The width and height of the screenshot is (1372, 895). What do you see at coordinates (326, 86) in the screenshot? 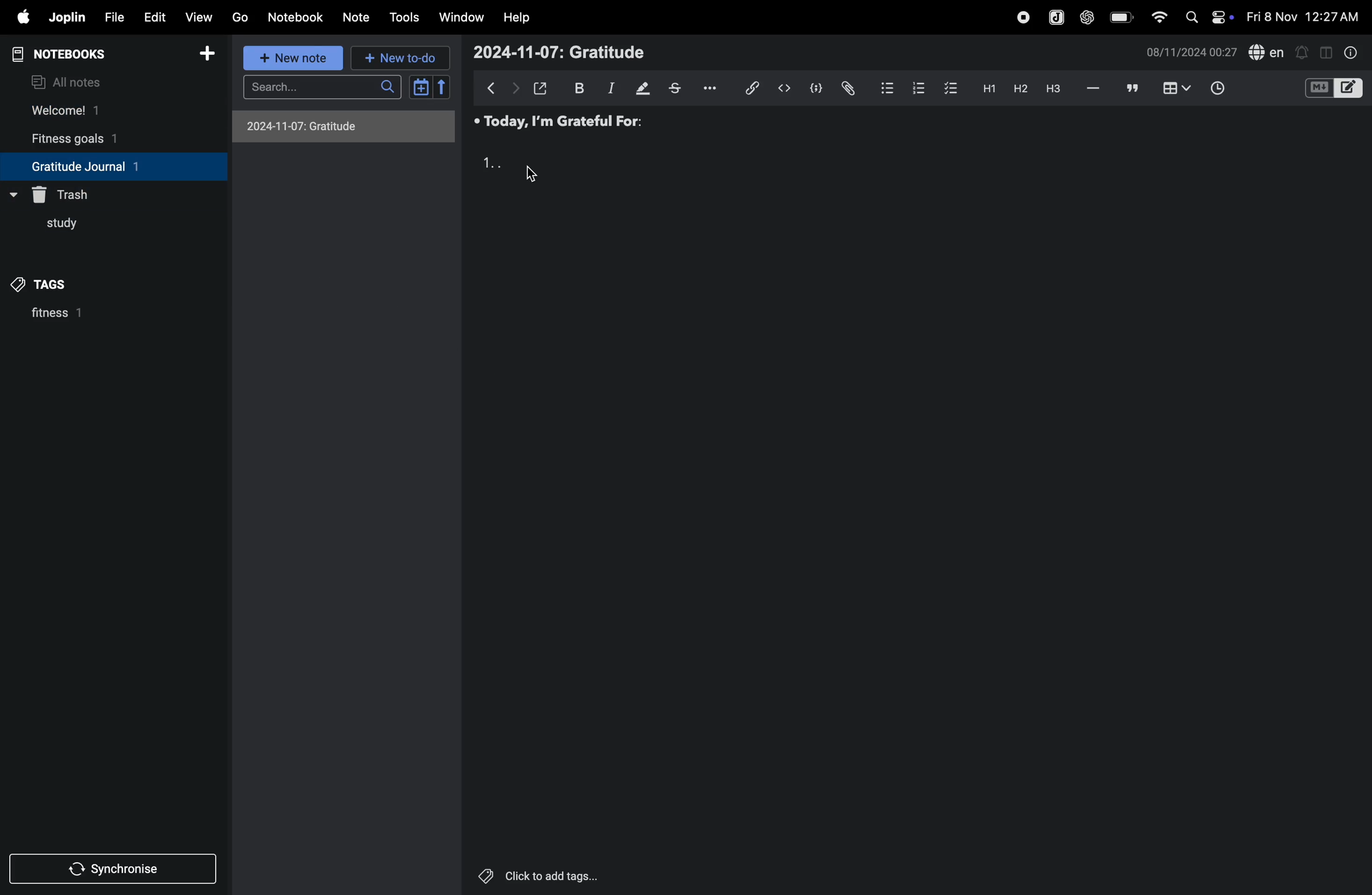
I see `search bar` at bounding box center [326, 86].